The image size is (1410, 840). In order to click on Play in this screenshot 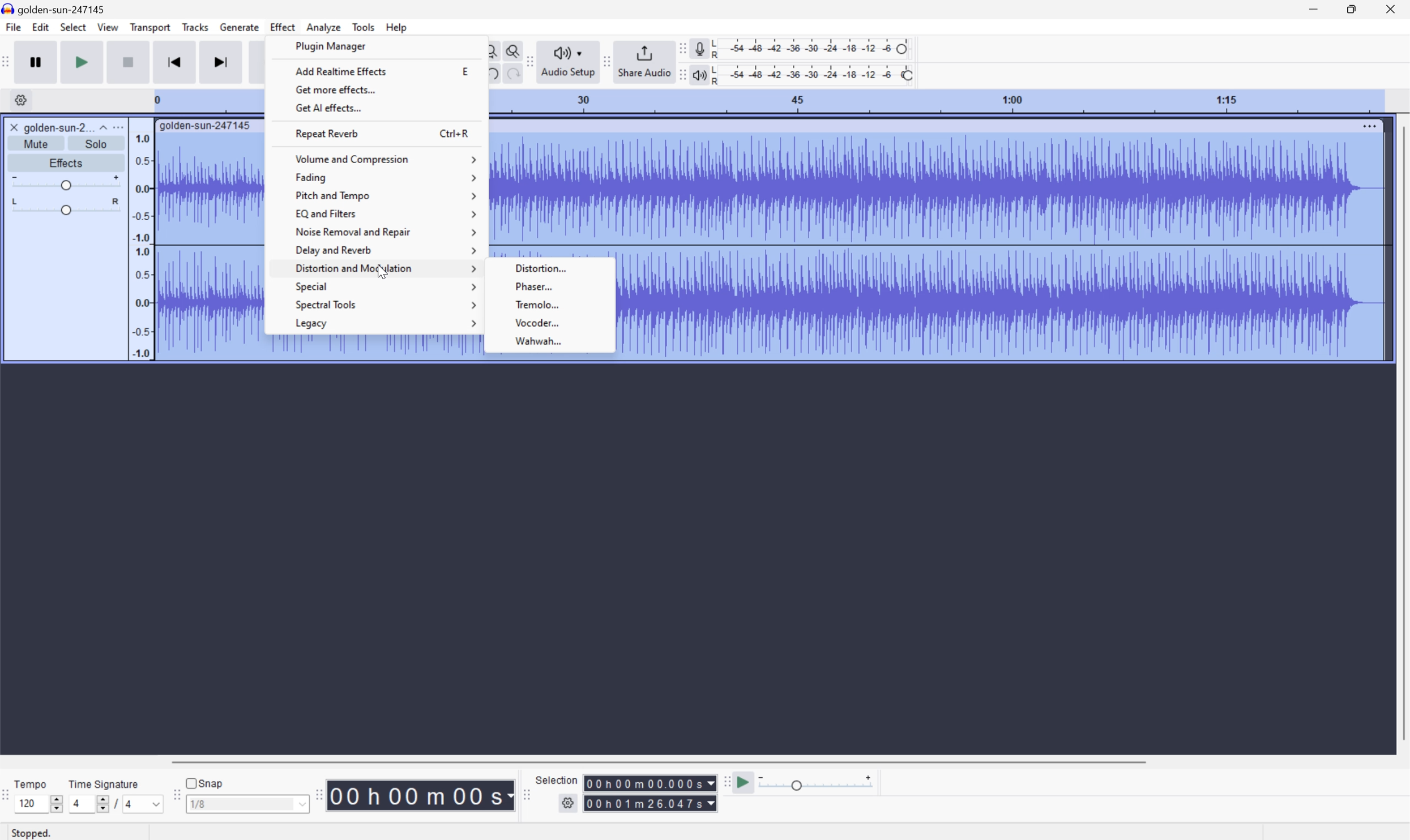, I will do `click(83, 61)`.